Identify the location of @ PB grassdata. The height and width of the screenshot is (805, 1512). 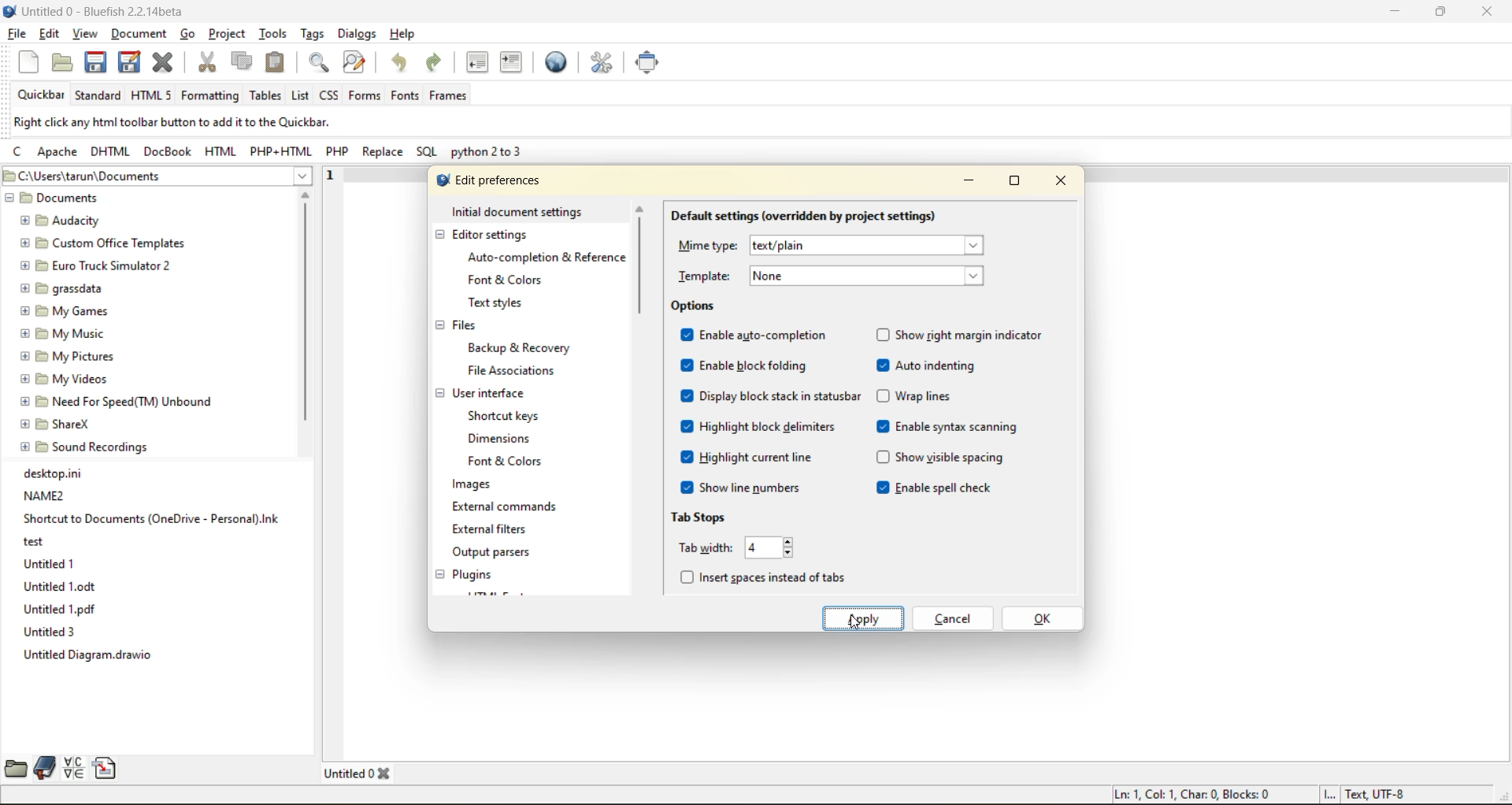
(61, 287).